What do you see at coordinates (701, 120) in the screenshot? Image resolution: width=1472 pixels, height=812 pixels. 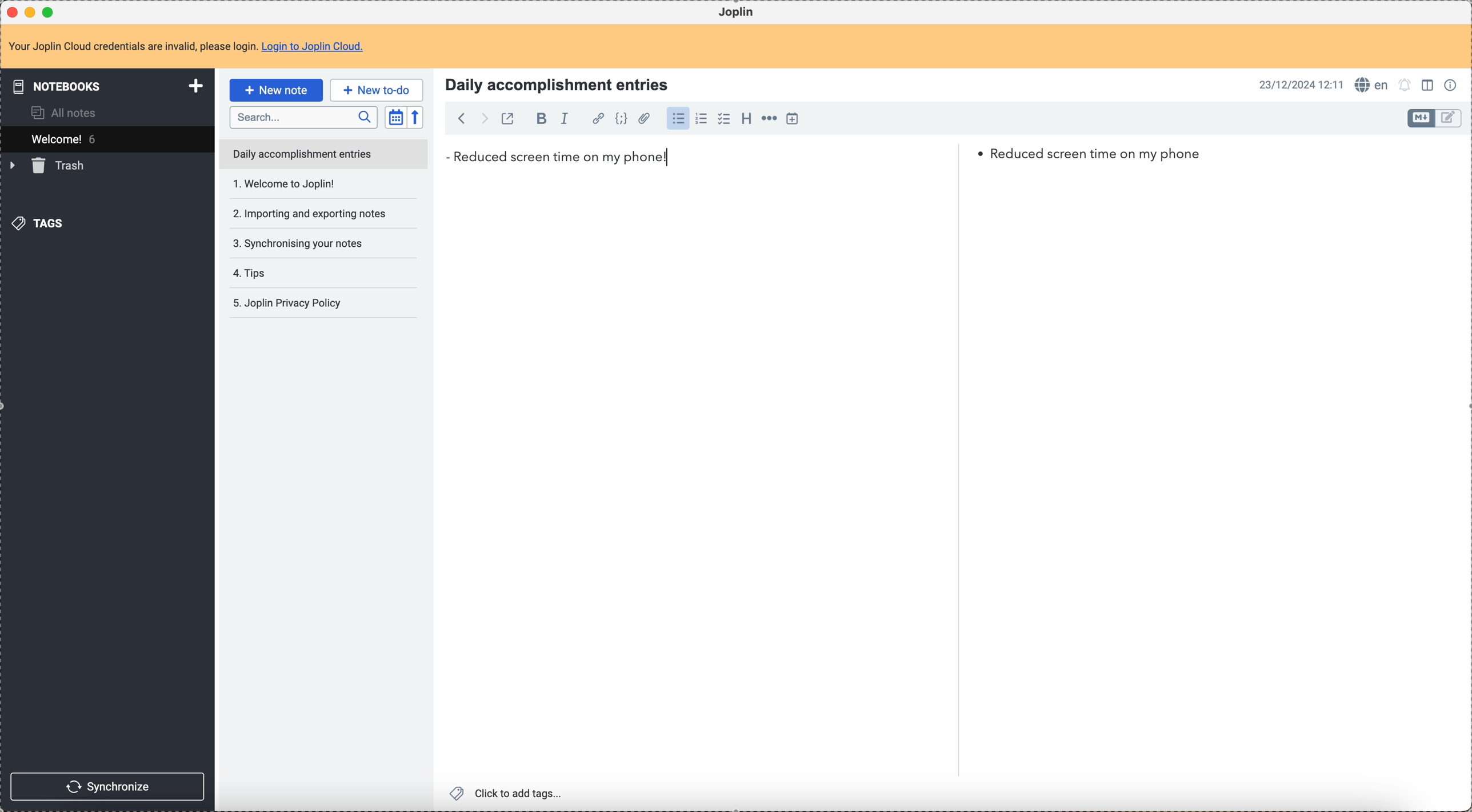 I see `numbered list` at bounding box center [701, 120].